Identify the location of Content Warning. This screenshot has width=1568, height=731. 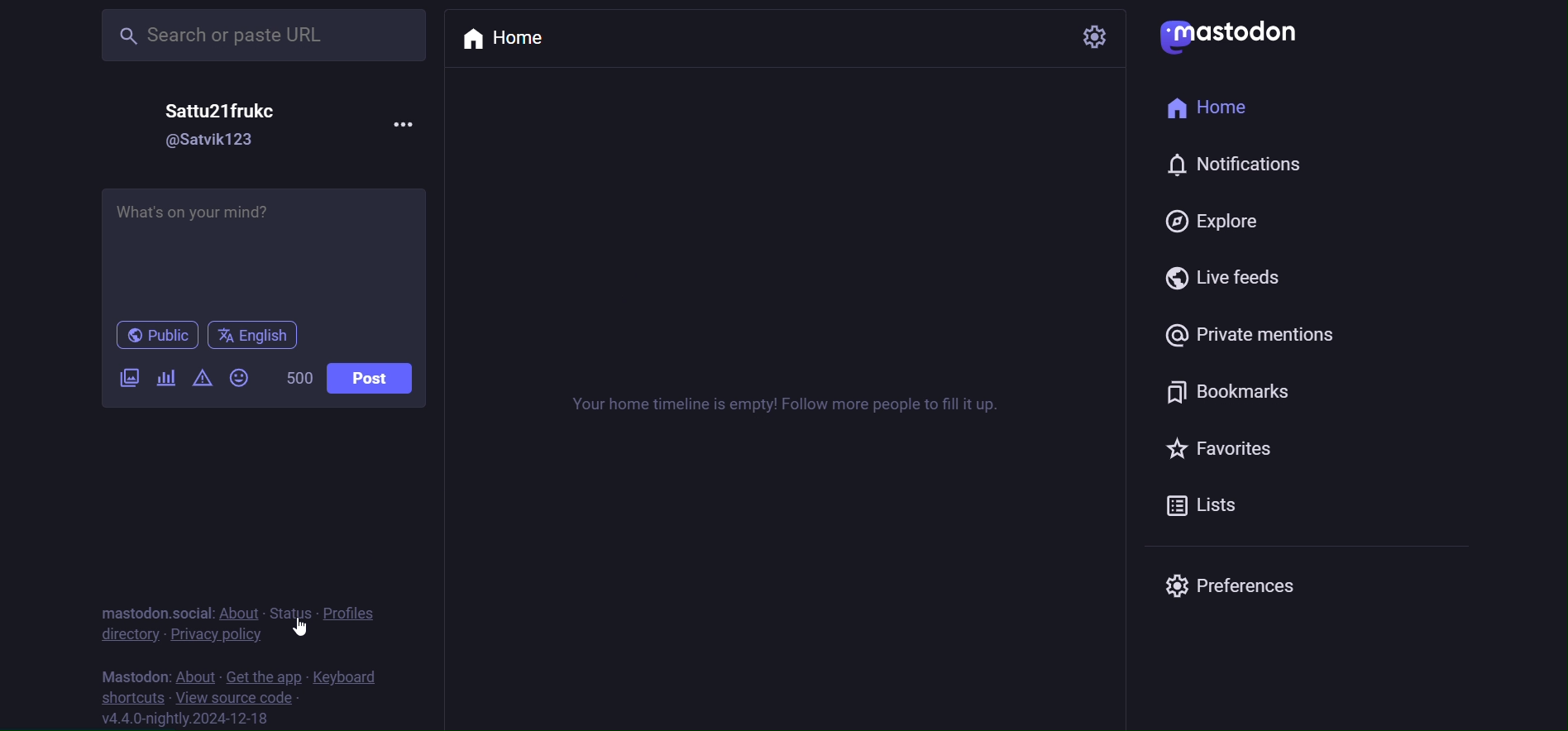
(203, 386).